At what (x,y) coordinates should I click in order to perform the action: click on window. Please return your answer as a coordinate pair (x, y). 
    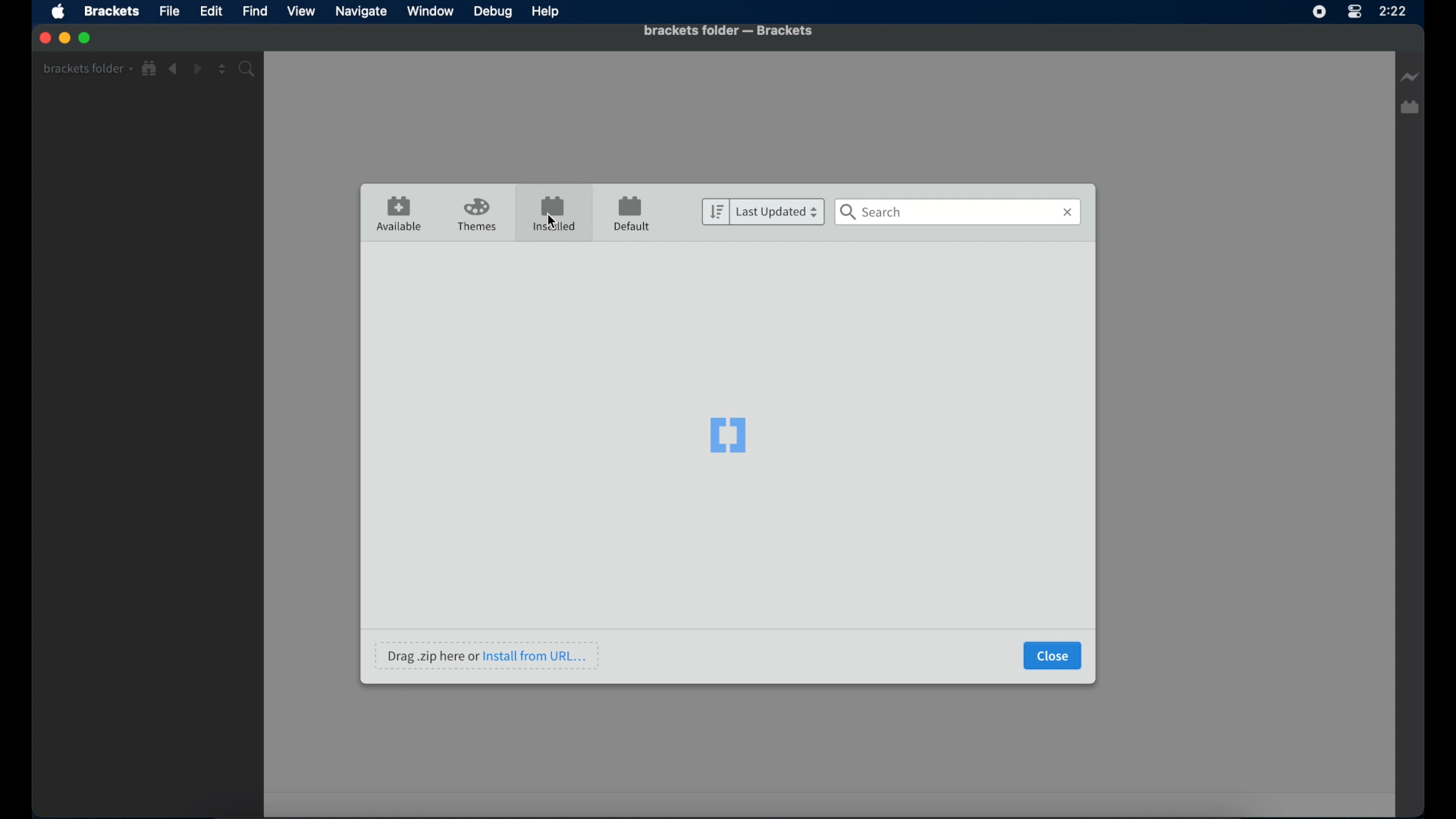
    Looking at the image, I should click on (430, 11).